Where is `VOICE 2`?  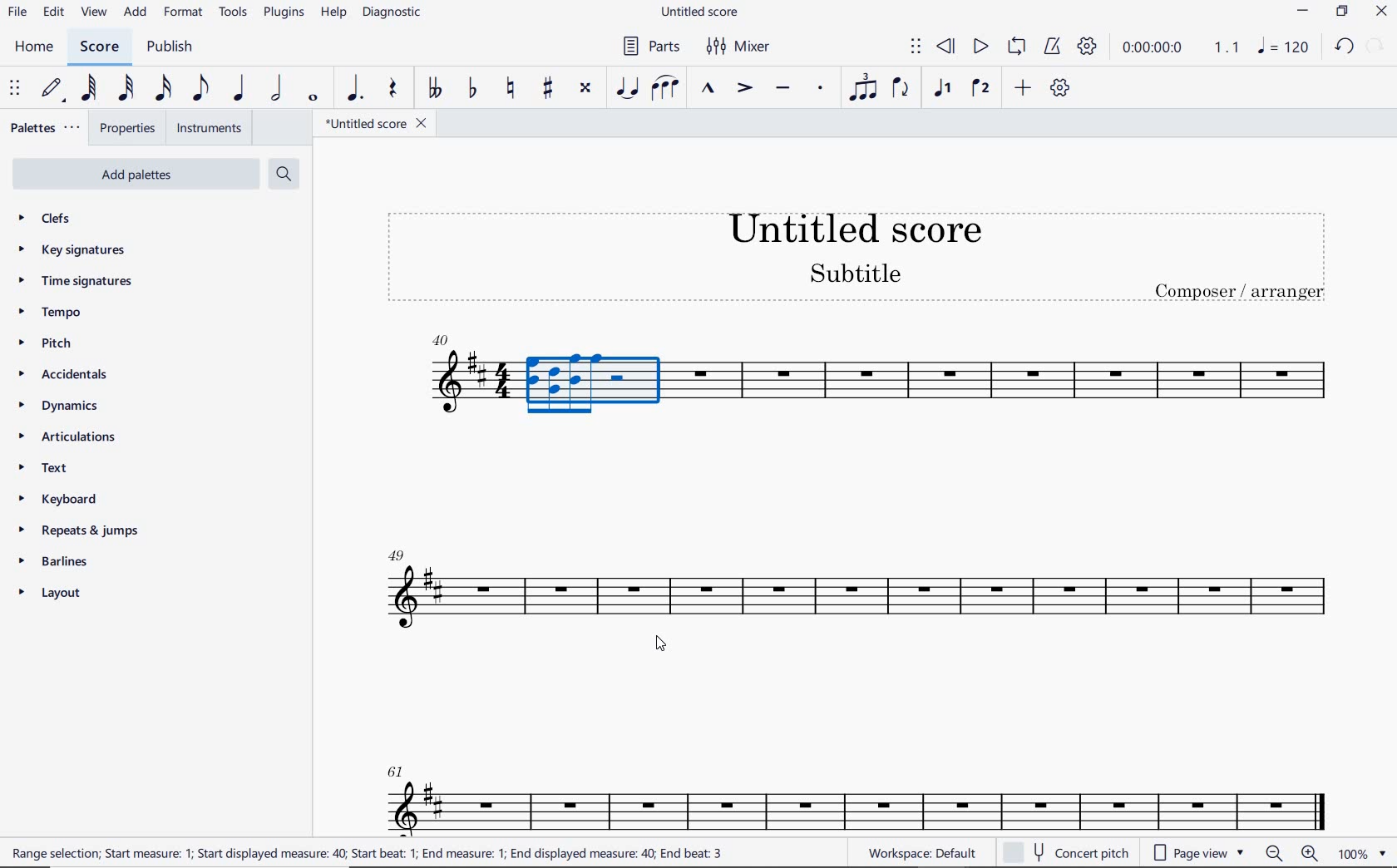 VOICE 2 is located at coordinates (981, 89).